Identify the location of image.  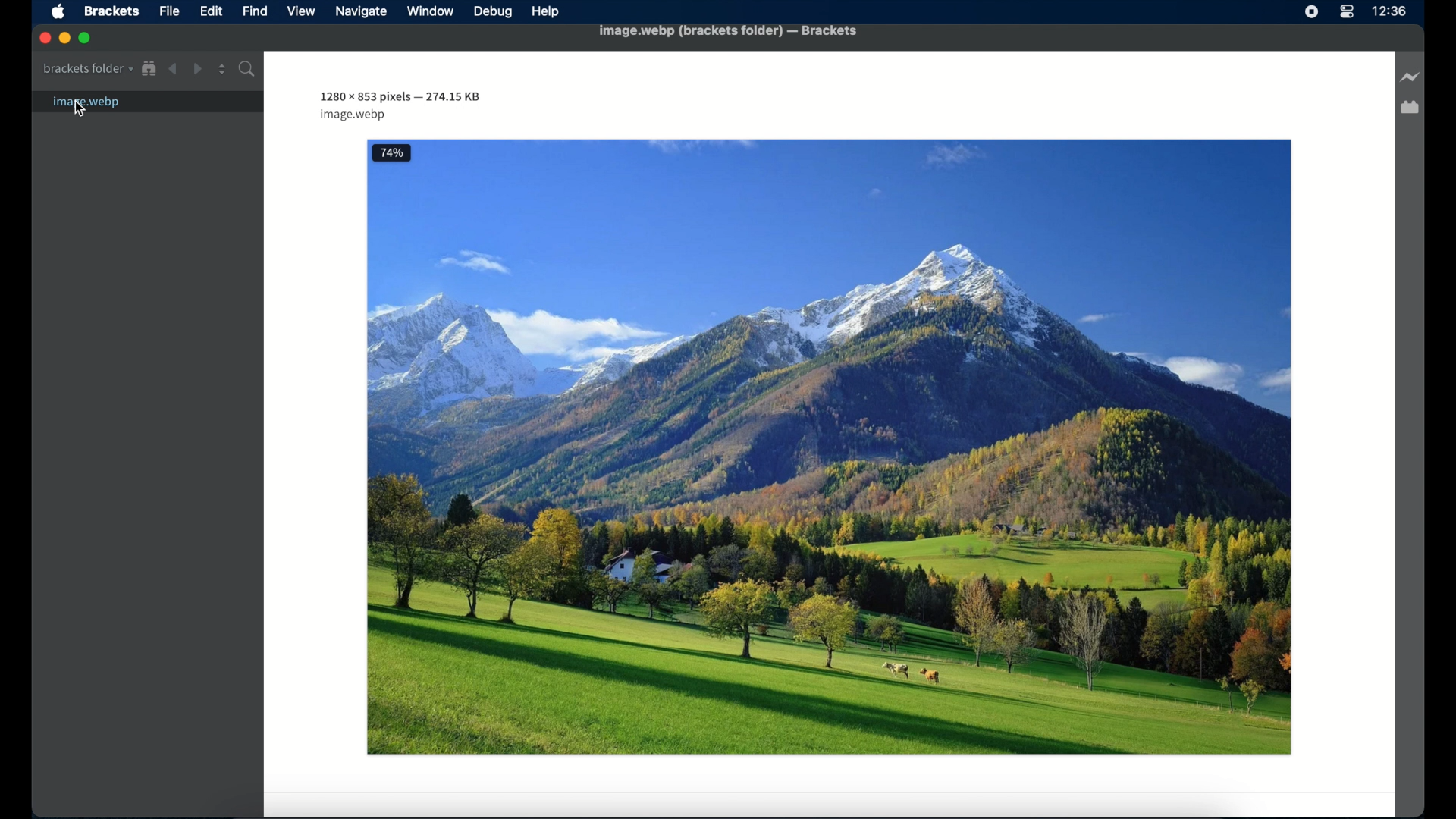
(829, 448).